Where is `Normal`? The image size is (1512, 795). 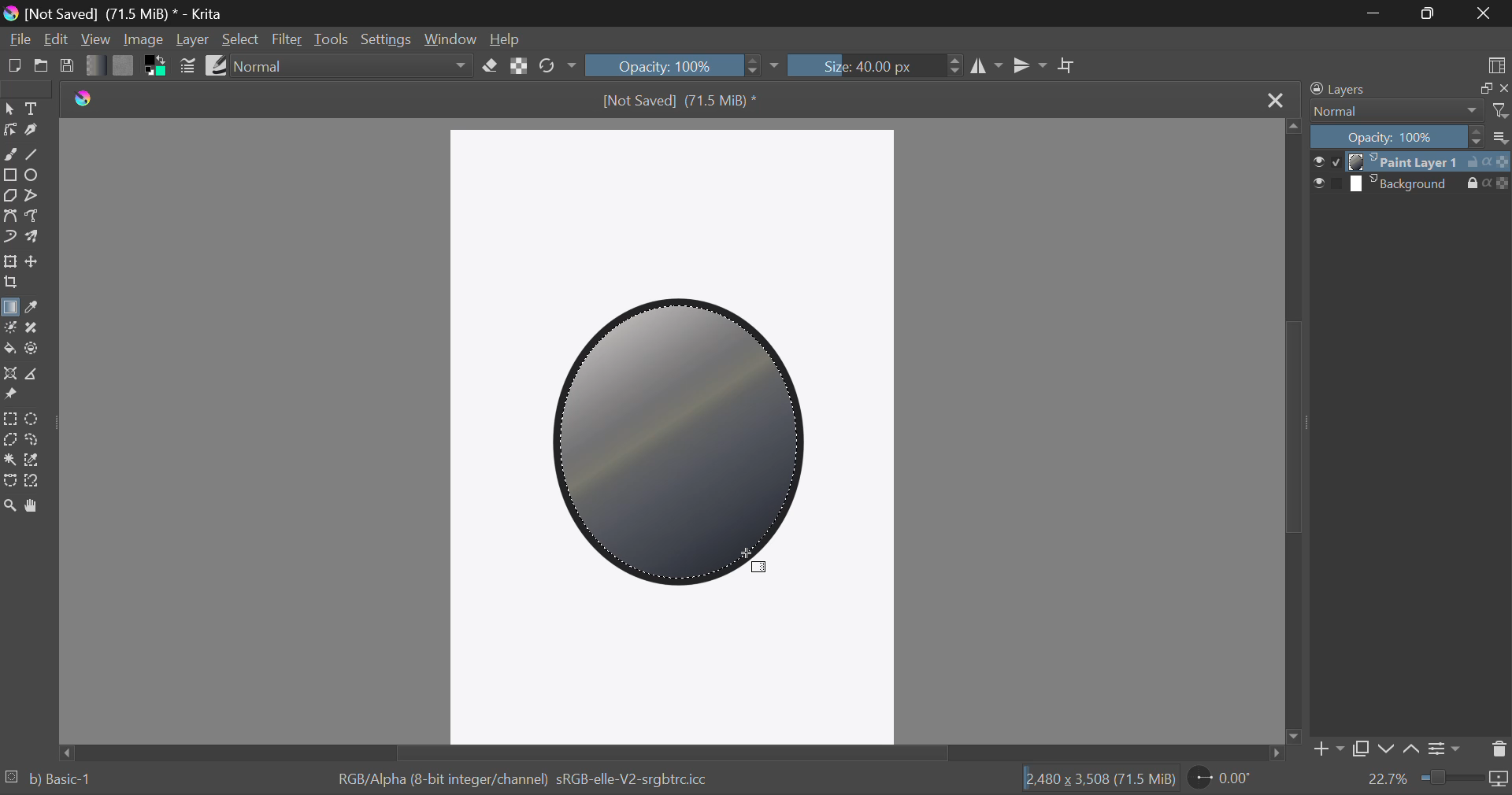 Normal is located at coordinates (1395, 112).